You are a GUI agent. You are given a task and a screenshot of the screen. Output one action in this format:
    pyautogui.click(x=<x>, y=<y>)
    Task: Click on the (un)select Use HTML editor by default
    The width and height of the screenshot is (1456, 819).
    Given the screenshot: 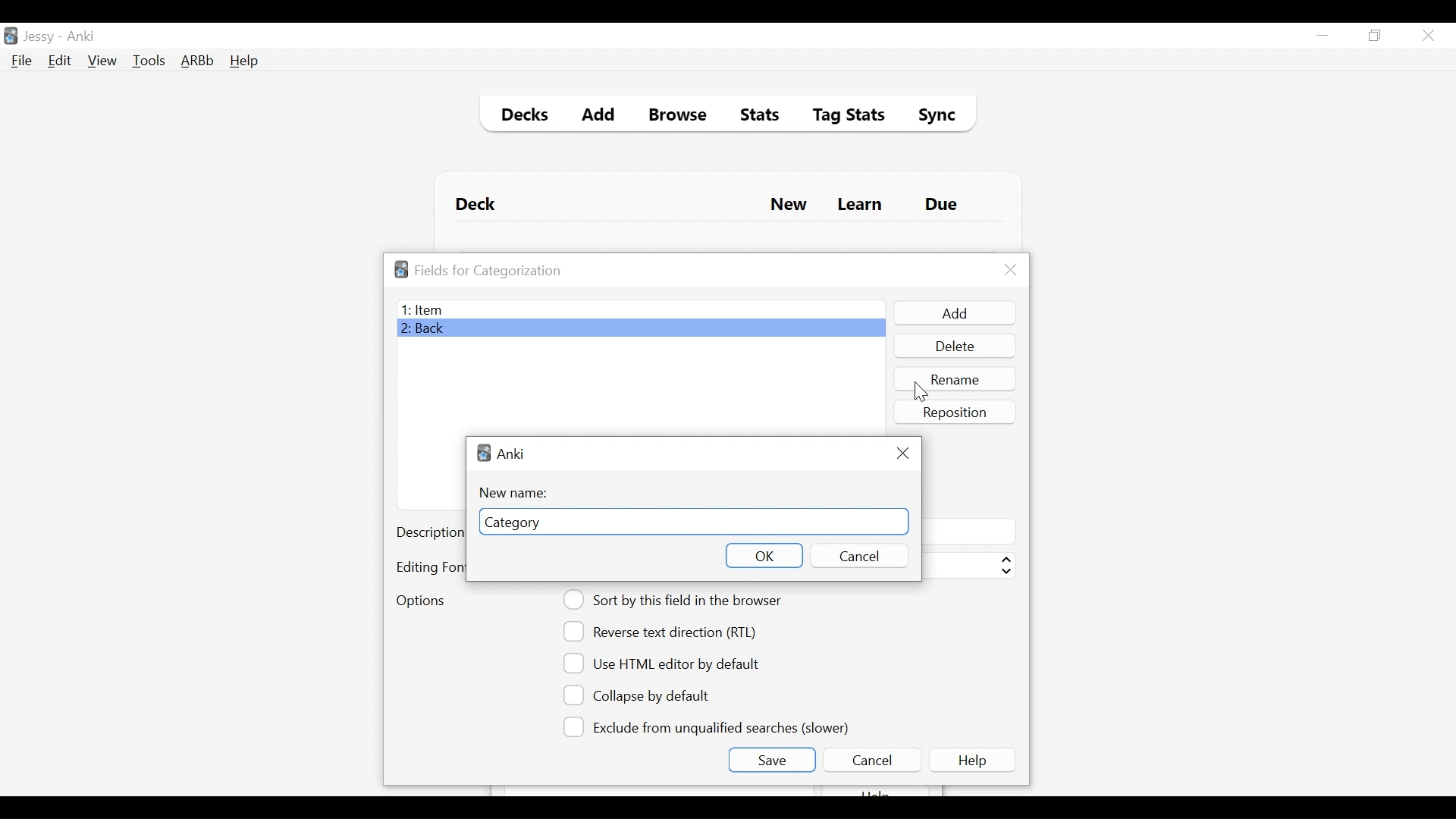 What is the action you would take?
    pyautogui.click(x=666, y=663)
    